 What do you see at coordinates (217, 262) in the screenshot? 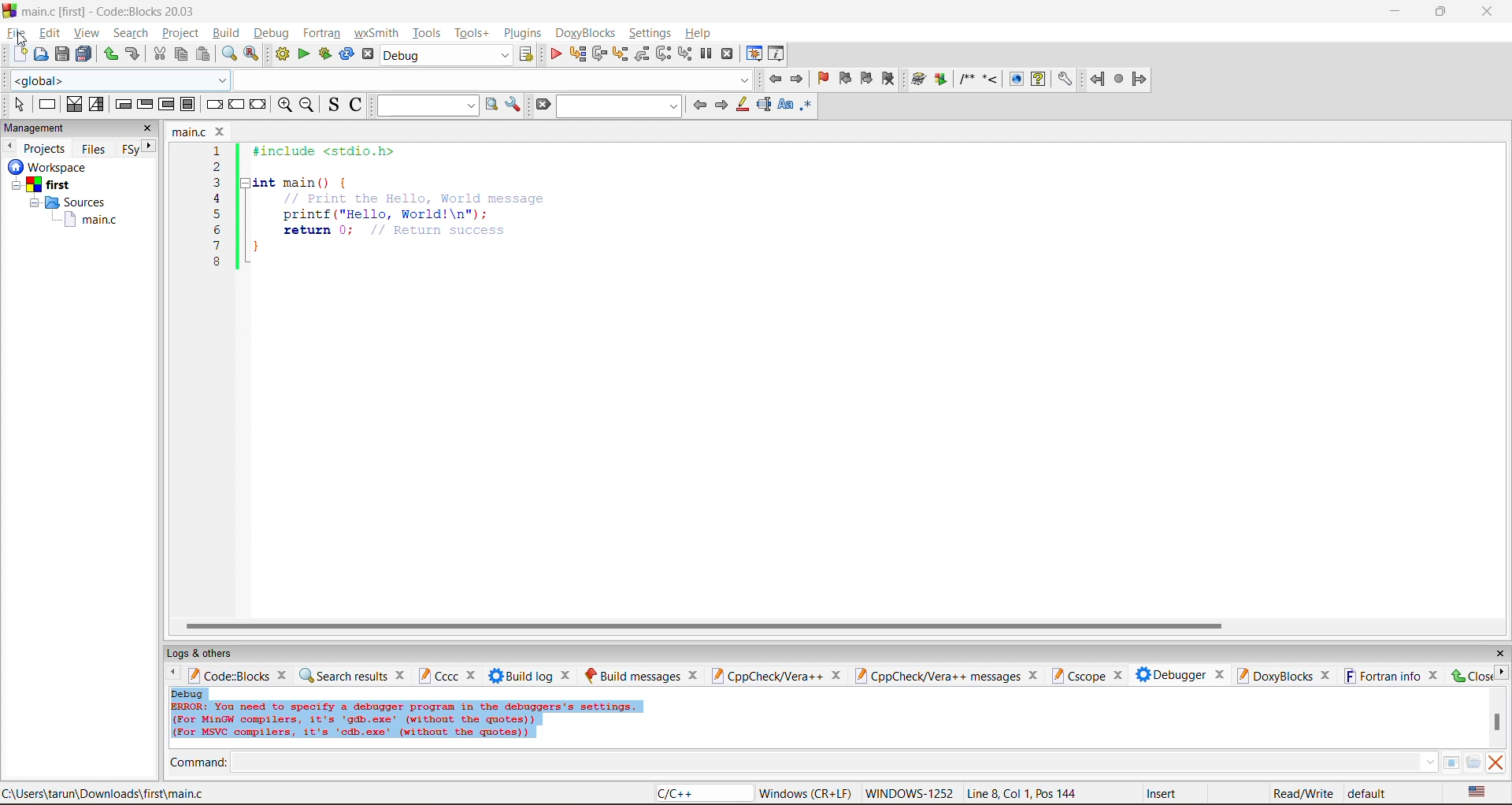
I see `8` at bounding box center [217, 262].